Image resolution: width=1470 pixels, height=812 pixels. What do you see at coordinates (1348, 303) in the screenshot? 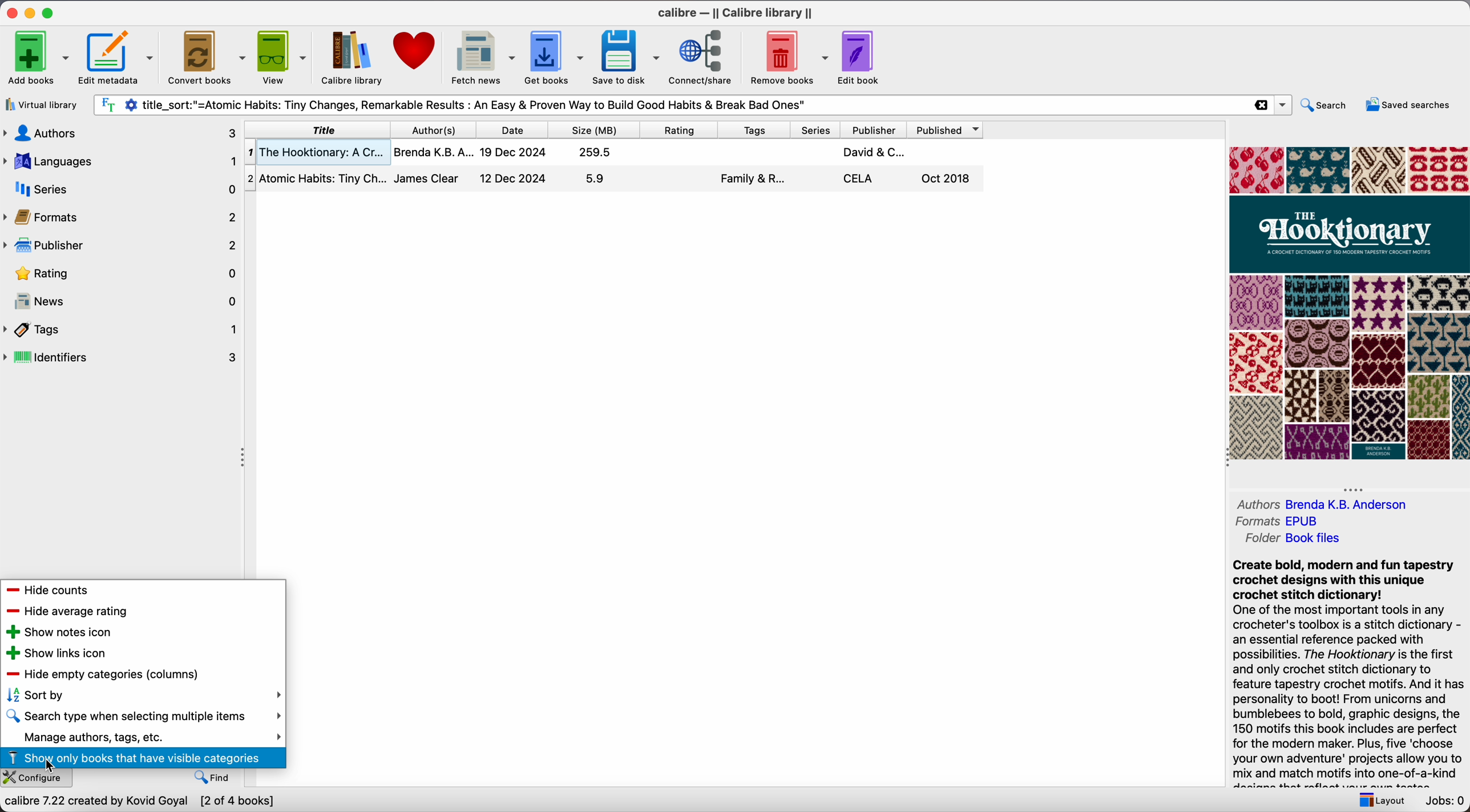
I see `book cover preview` at bounding box center [1348, 303].